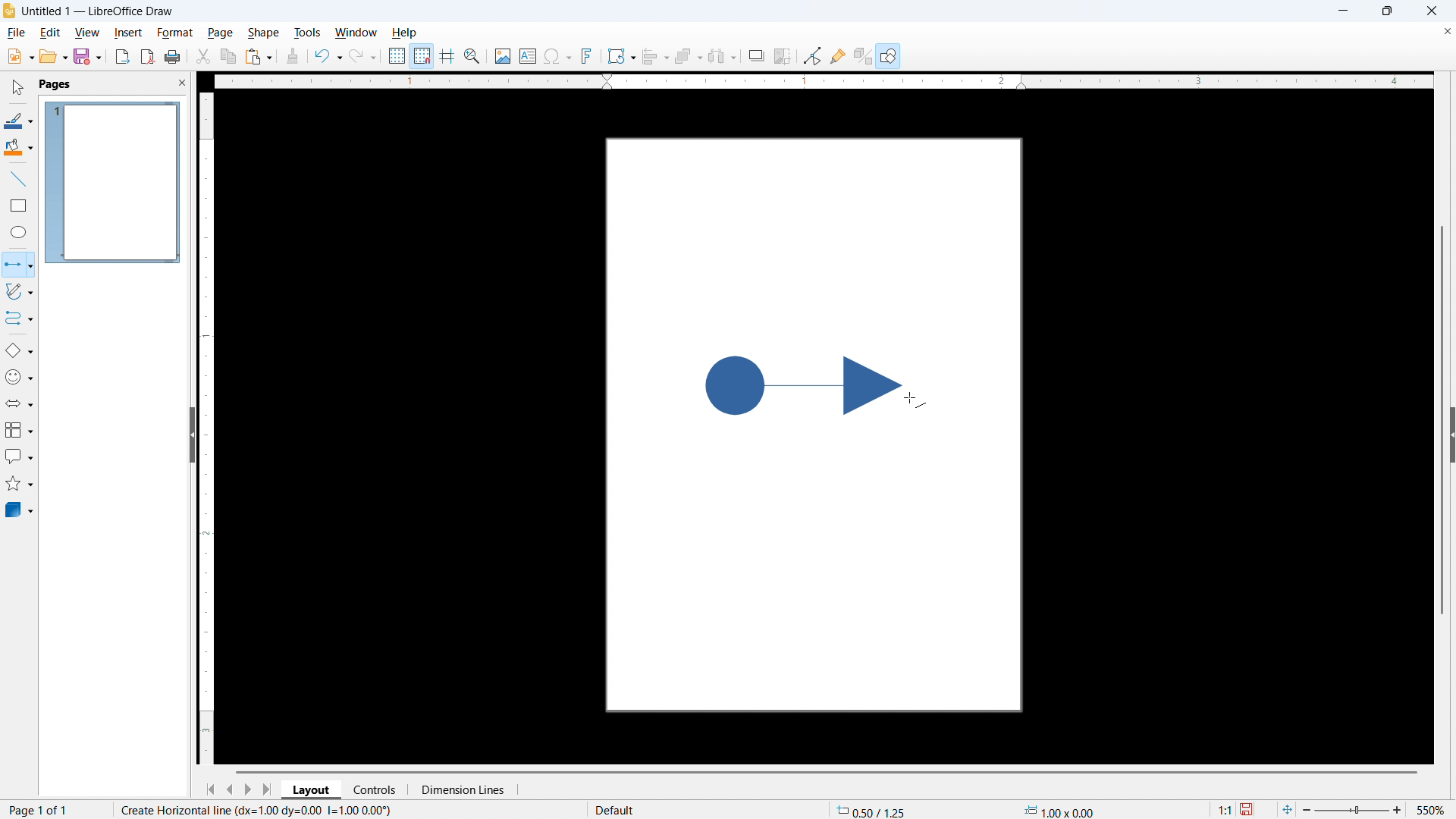  I want to click on Close panel , so click(181, 82).